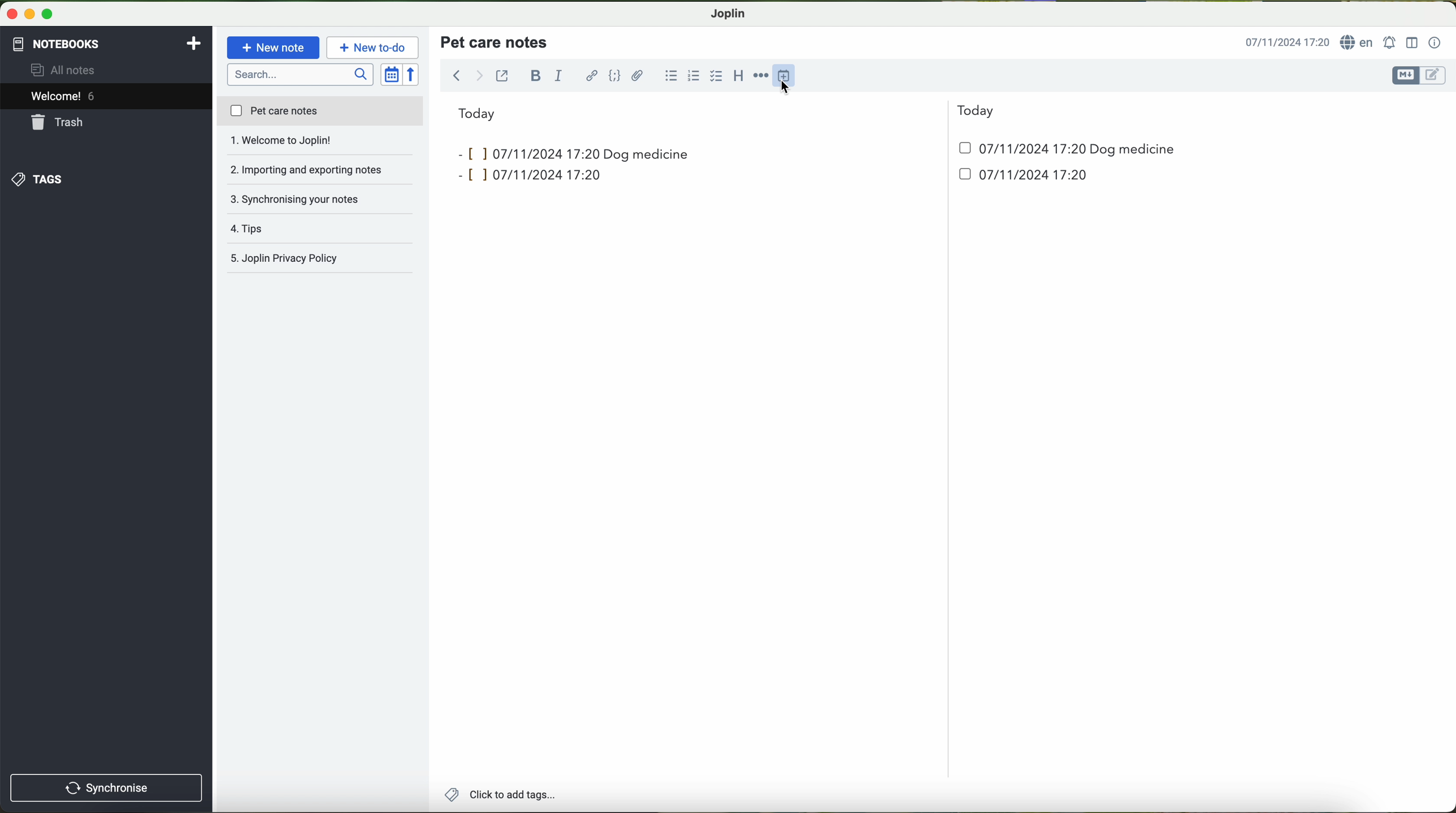 This screenshot has height=813, width=1456. What do you see at coordinates (1286, 43) in the screenshot?
I see `hour and date` at bounding box center [1286, 43].